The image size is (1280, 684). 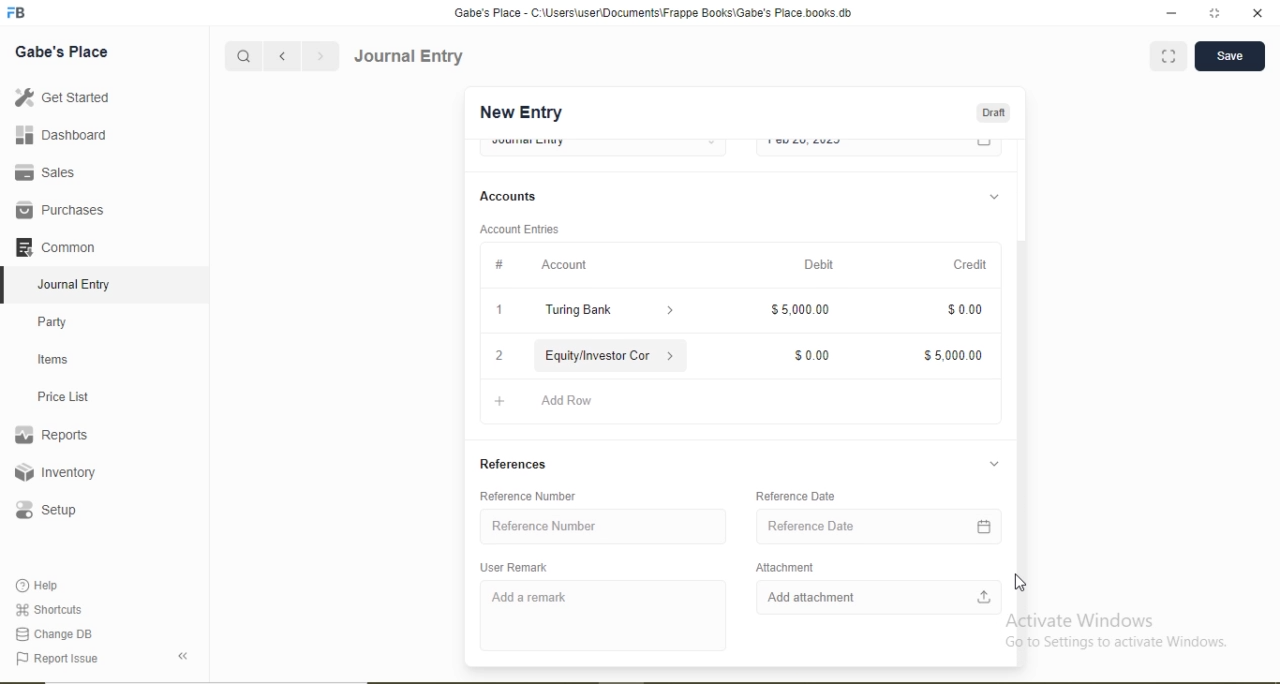 I want to click on Dropdown, so click(x=671, y=312).